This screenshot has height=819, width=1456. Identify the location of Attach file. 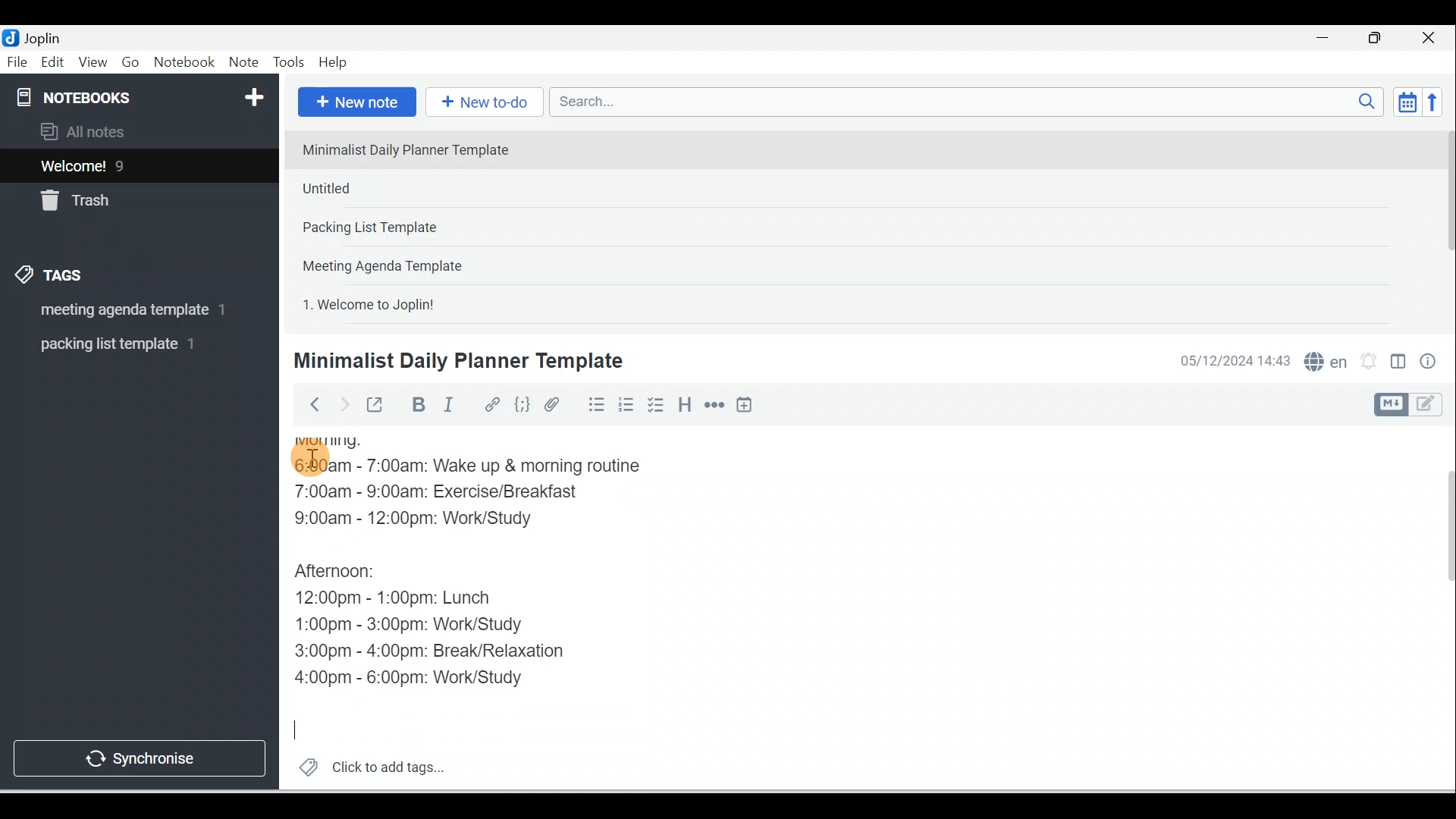
(556, 404).